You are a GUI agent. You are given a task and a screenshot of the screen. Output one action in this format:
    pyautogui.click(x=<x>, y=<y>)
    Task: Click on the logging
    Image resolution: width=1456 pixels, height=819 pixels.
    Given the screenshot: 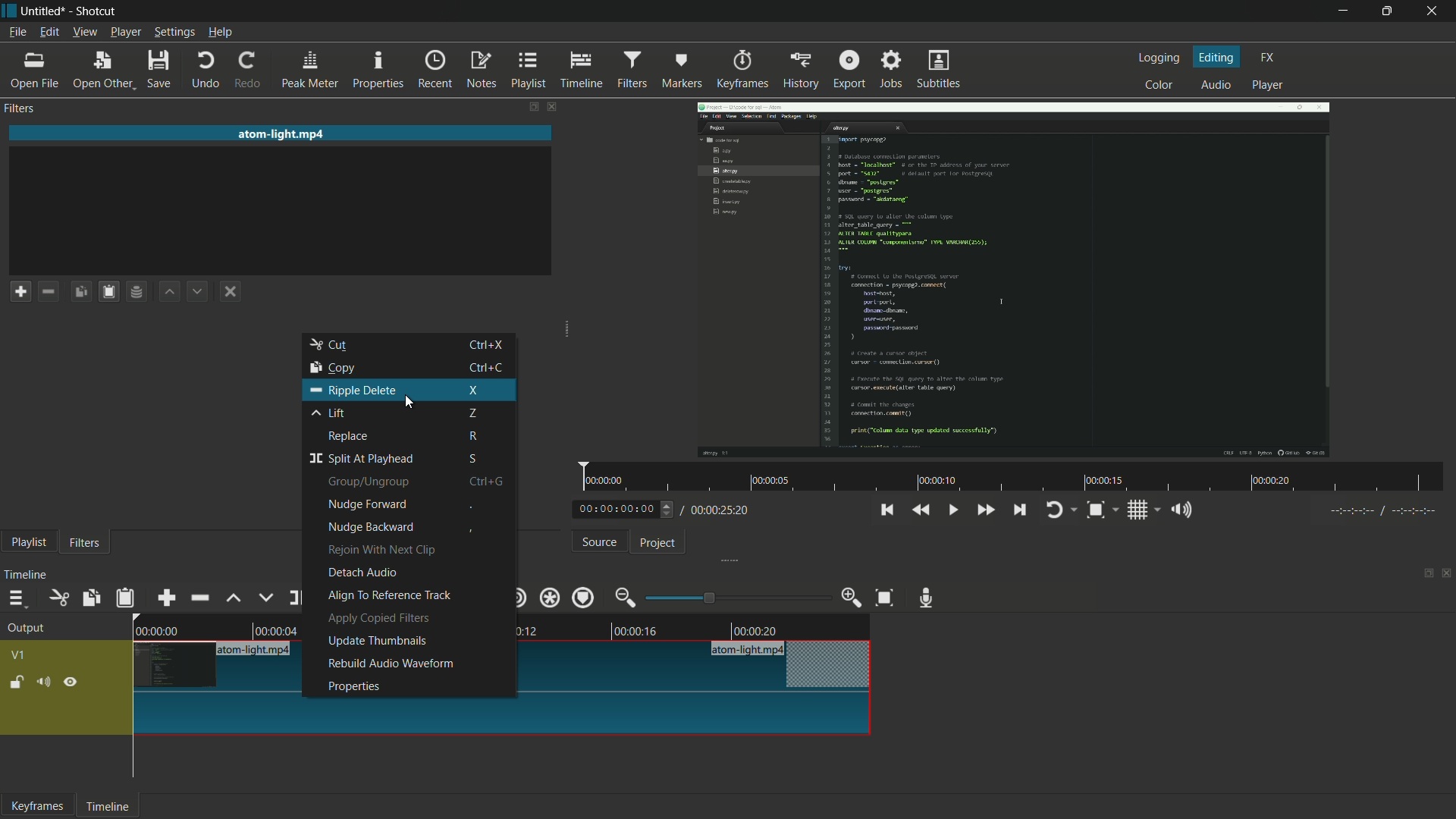 What is the action you would take?
    pyautogui.click(x=1159, y=59)
    